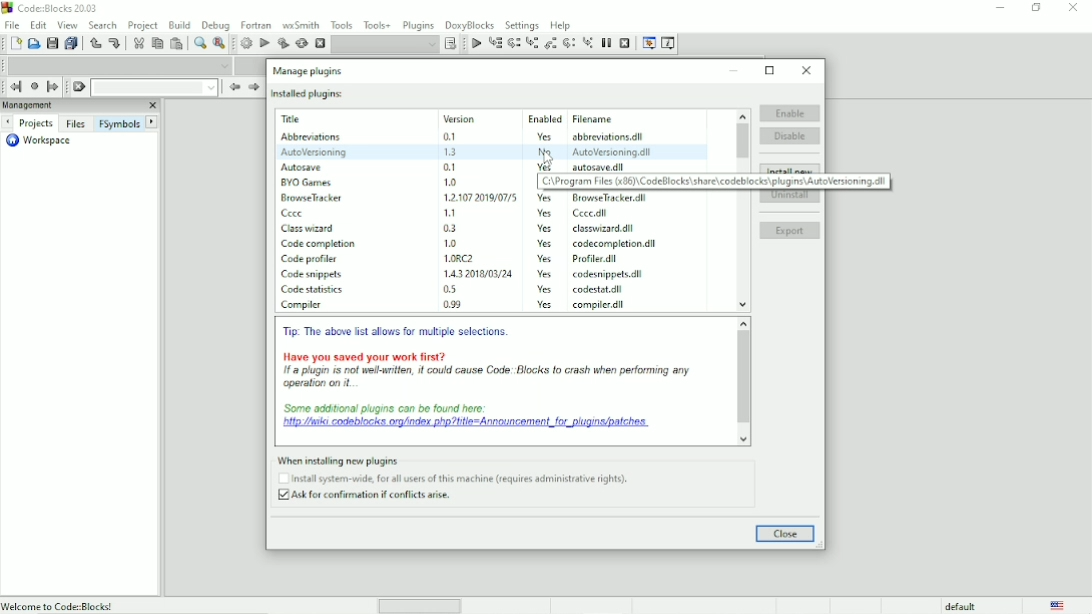 This screenshot has width=1092, height=614. I want to click on file, so click(617, 245).